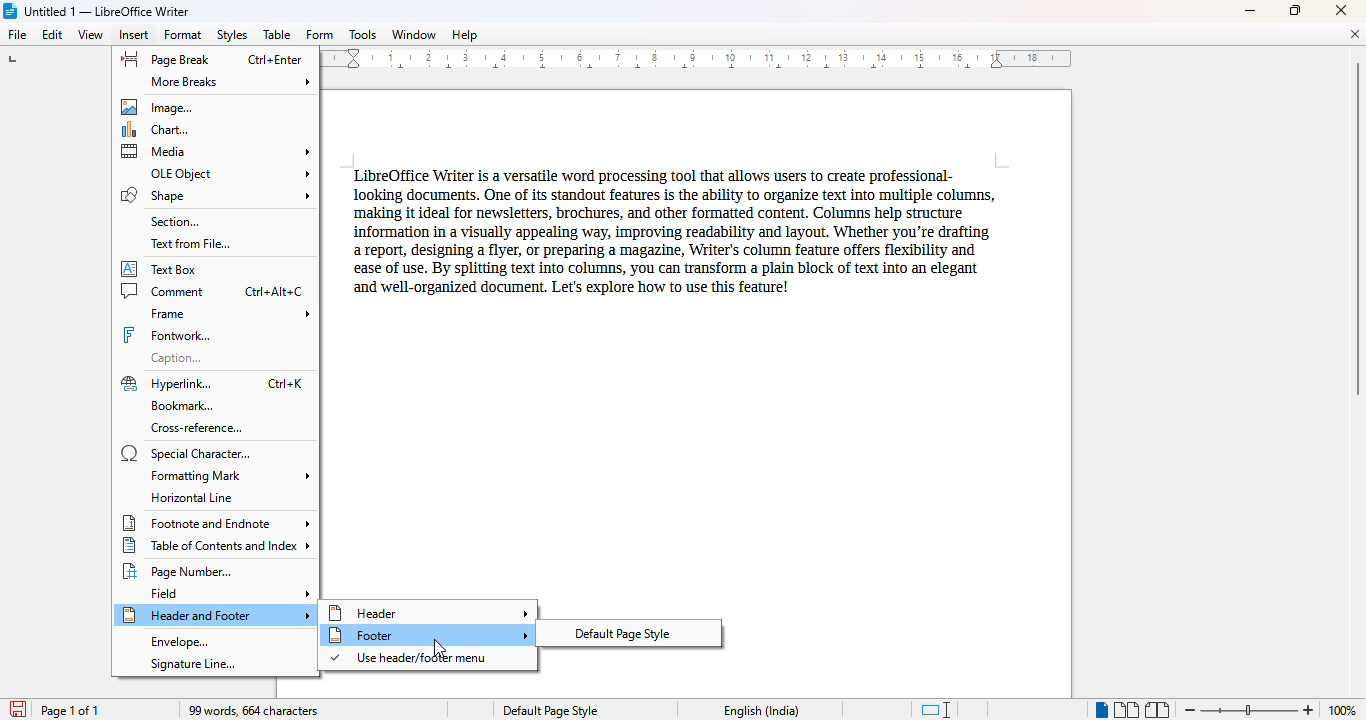 The width and height of the screenshot is (1366, 720). What do you see at coordinates (161, 106) in the screenshot?
I see `image` at bounding box center [161, 106].